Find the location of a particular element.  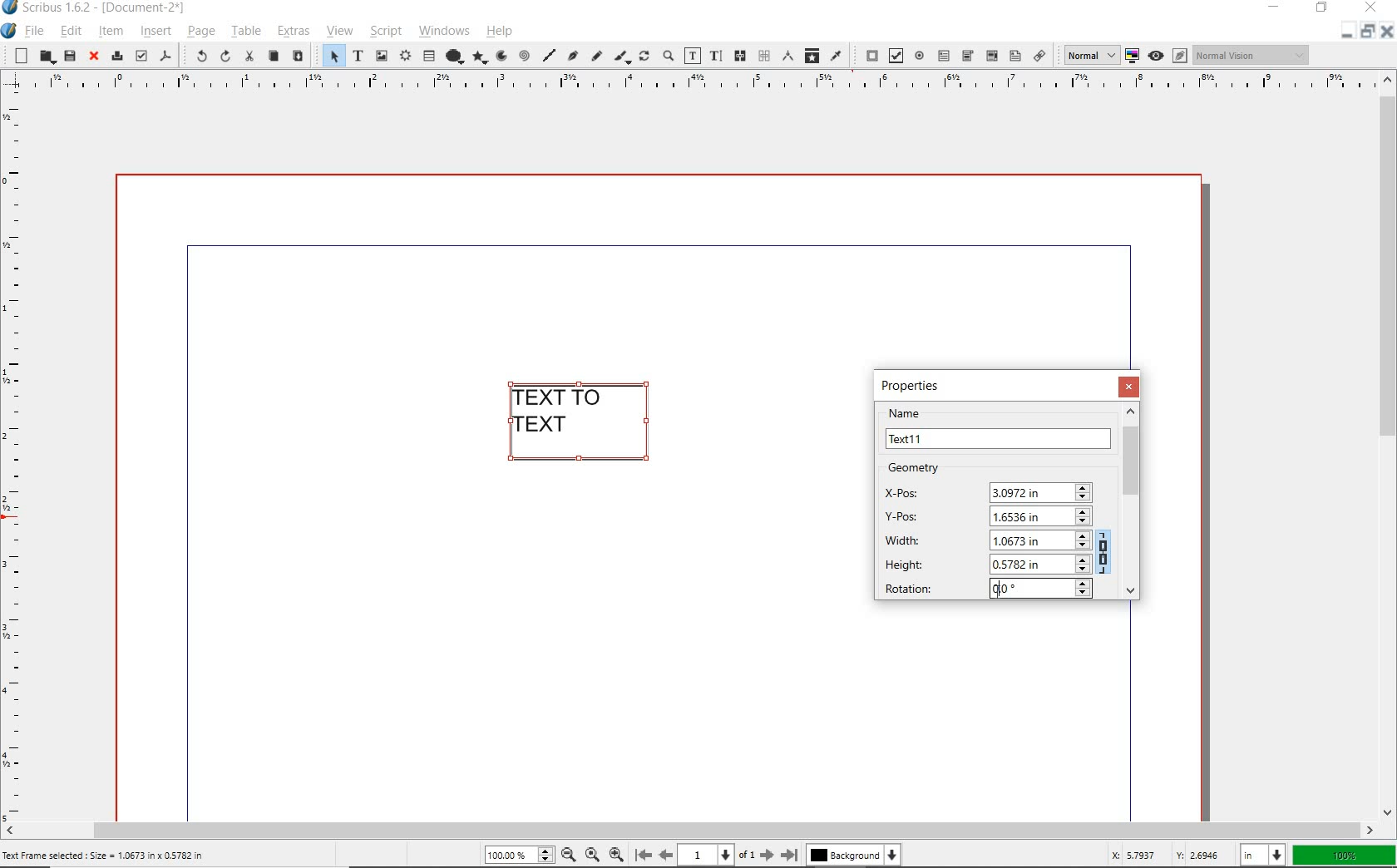

Bezier curve is located at coordinates (572, 55).